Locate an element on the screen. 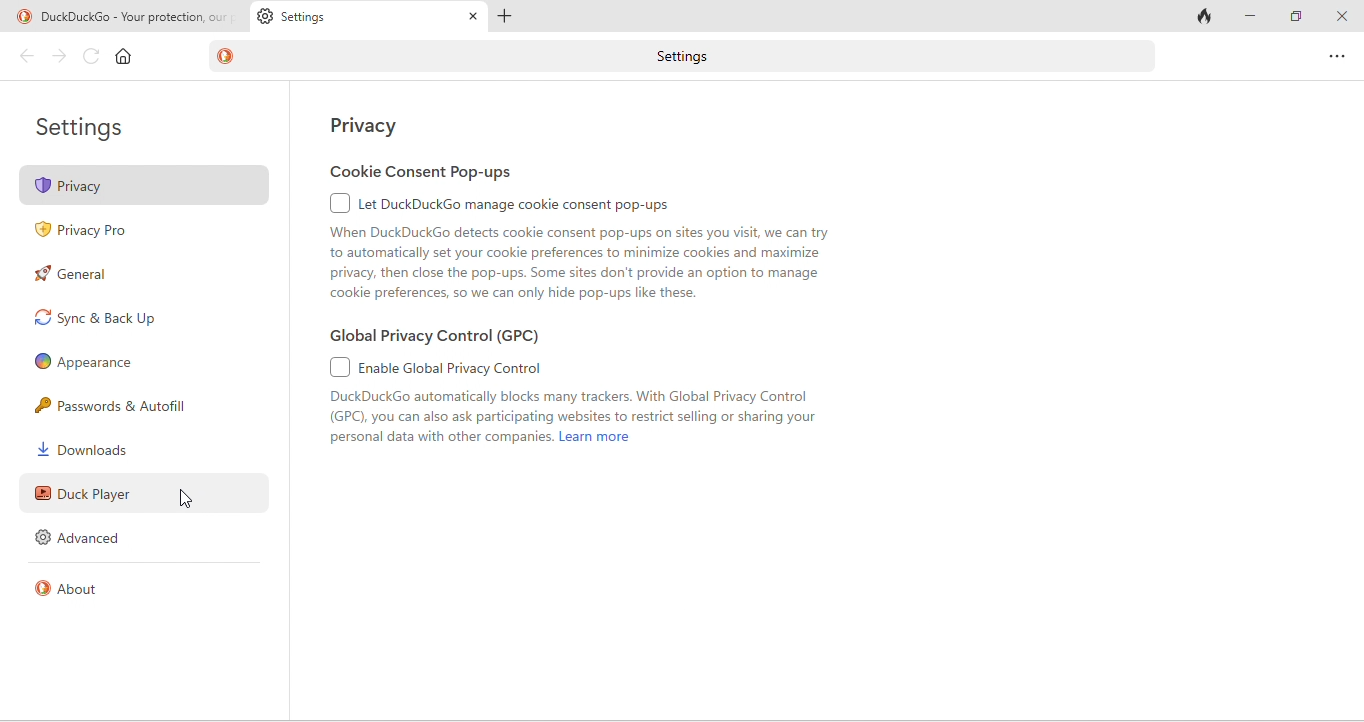 This screenshot has height=722, width=1364. settings is located at coordinates (367, 16).